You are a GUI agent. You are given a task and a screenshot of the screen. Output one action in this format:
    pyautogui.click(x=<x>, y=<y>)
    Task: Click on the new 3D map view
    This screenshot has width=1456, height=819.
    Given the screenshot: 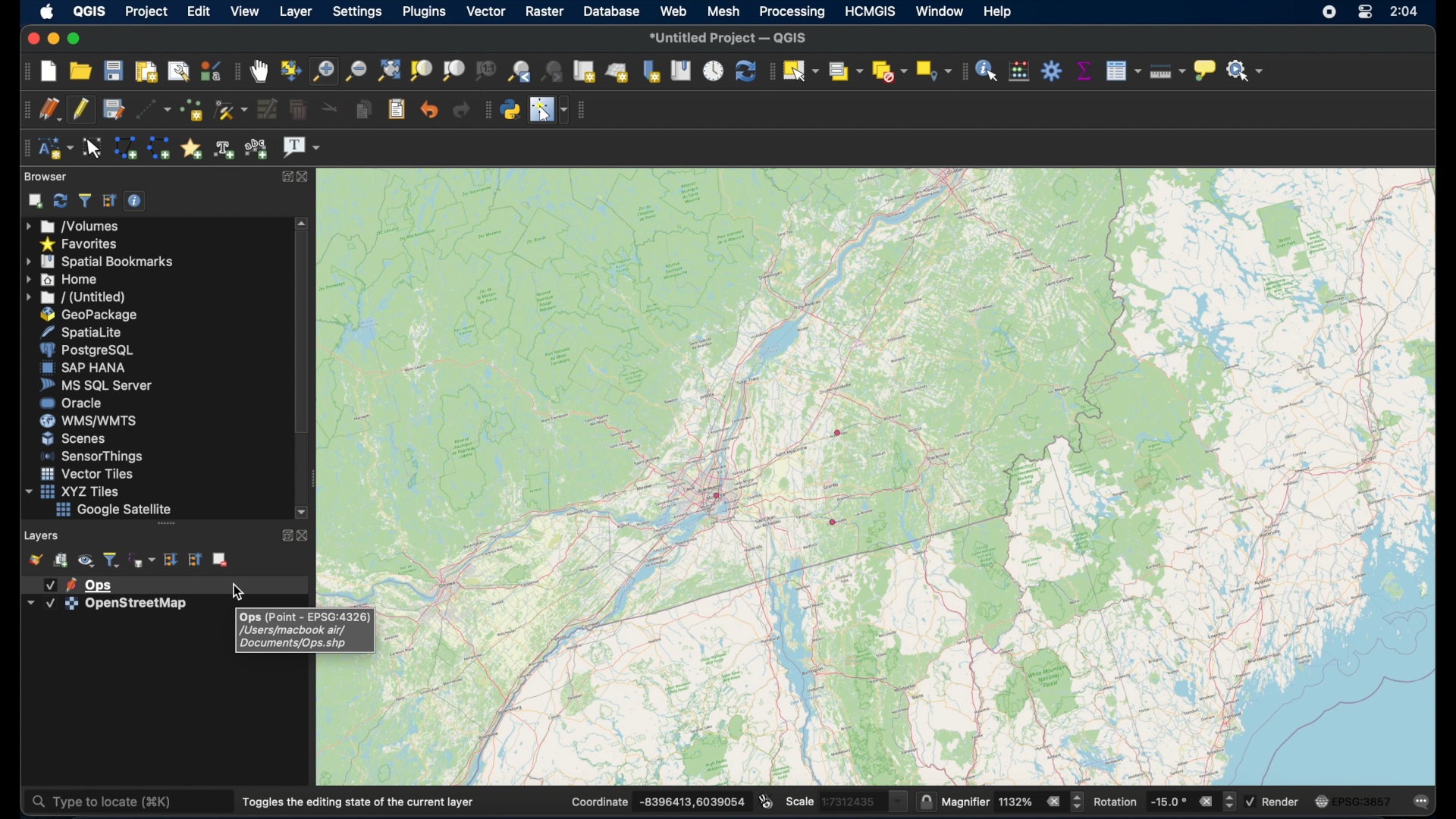 What is the action you would take?
    pyautogui.click(x=617, y=71)
    